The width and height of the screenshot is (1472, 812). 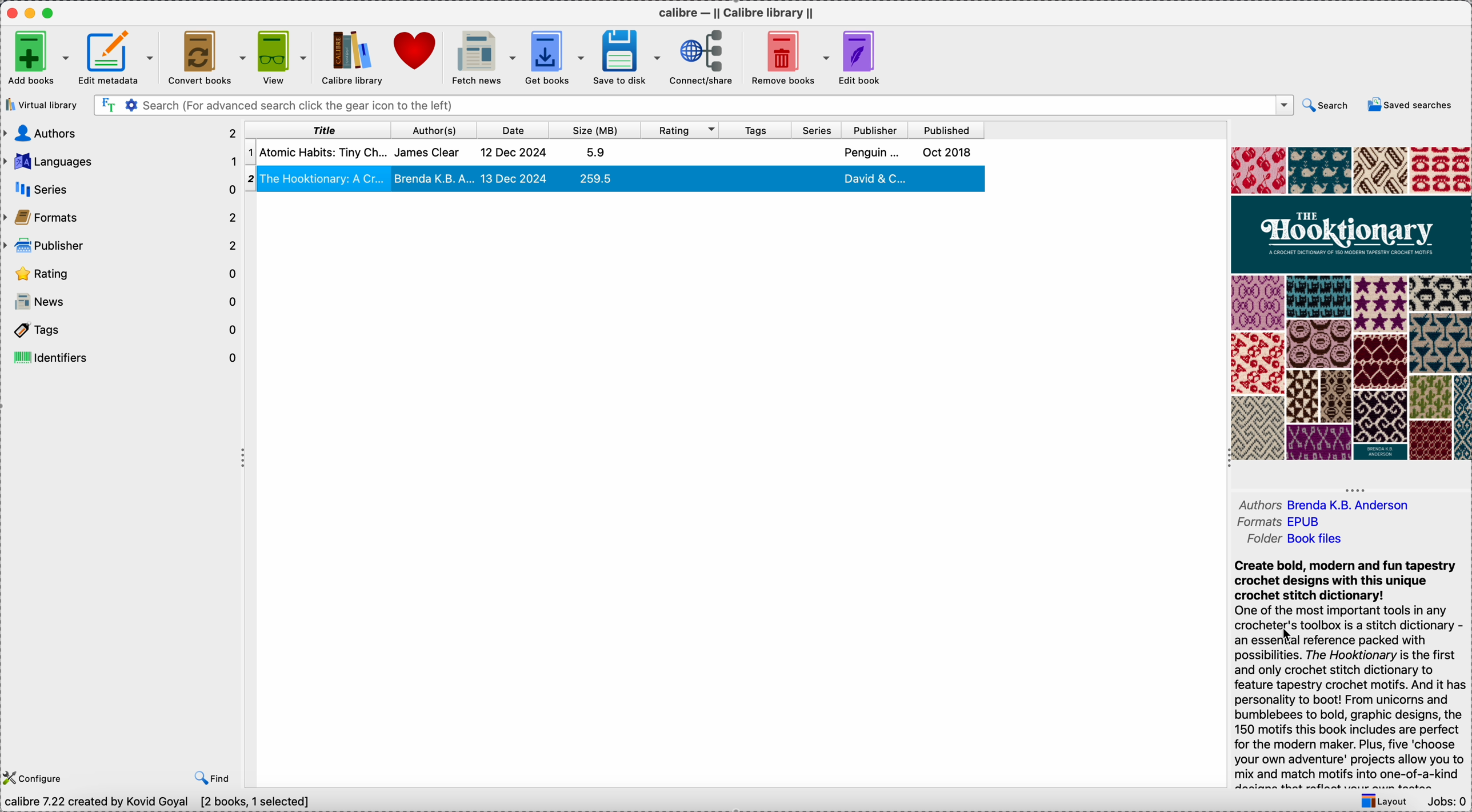 What do you see at coordinates (517, 130) in the screenshot?
I see `date` at bounding box center [517, 130].